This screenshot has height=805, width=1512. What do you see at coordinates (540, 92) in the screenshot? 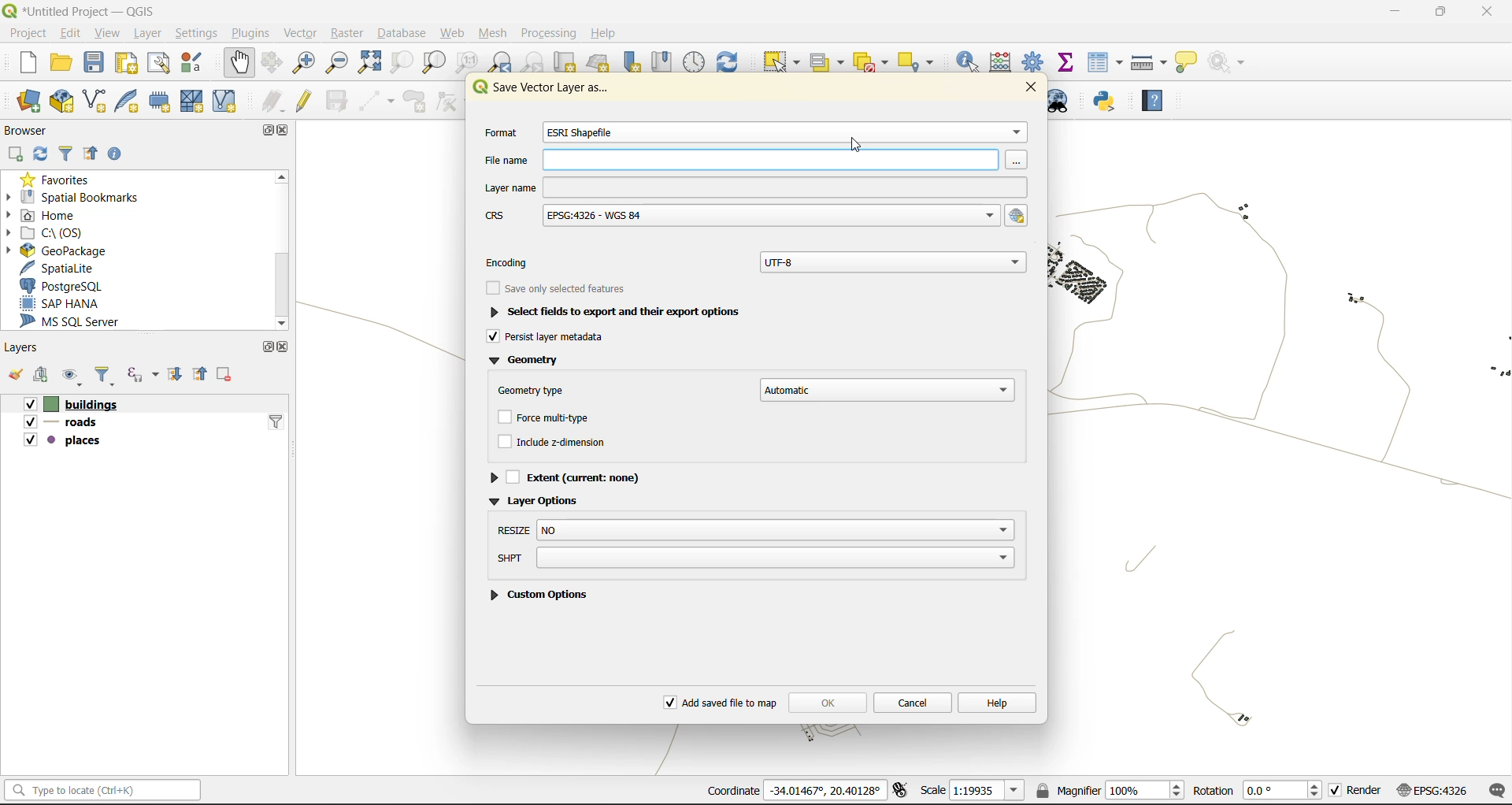
I see `Service Vector layer` at bounding box center [540, 92].